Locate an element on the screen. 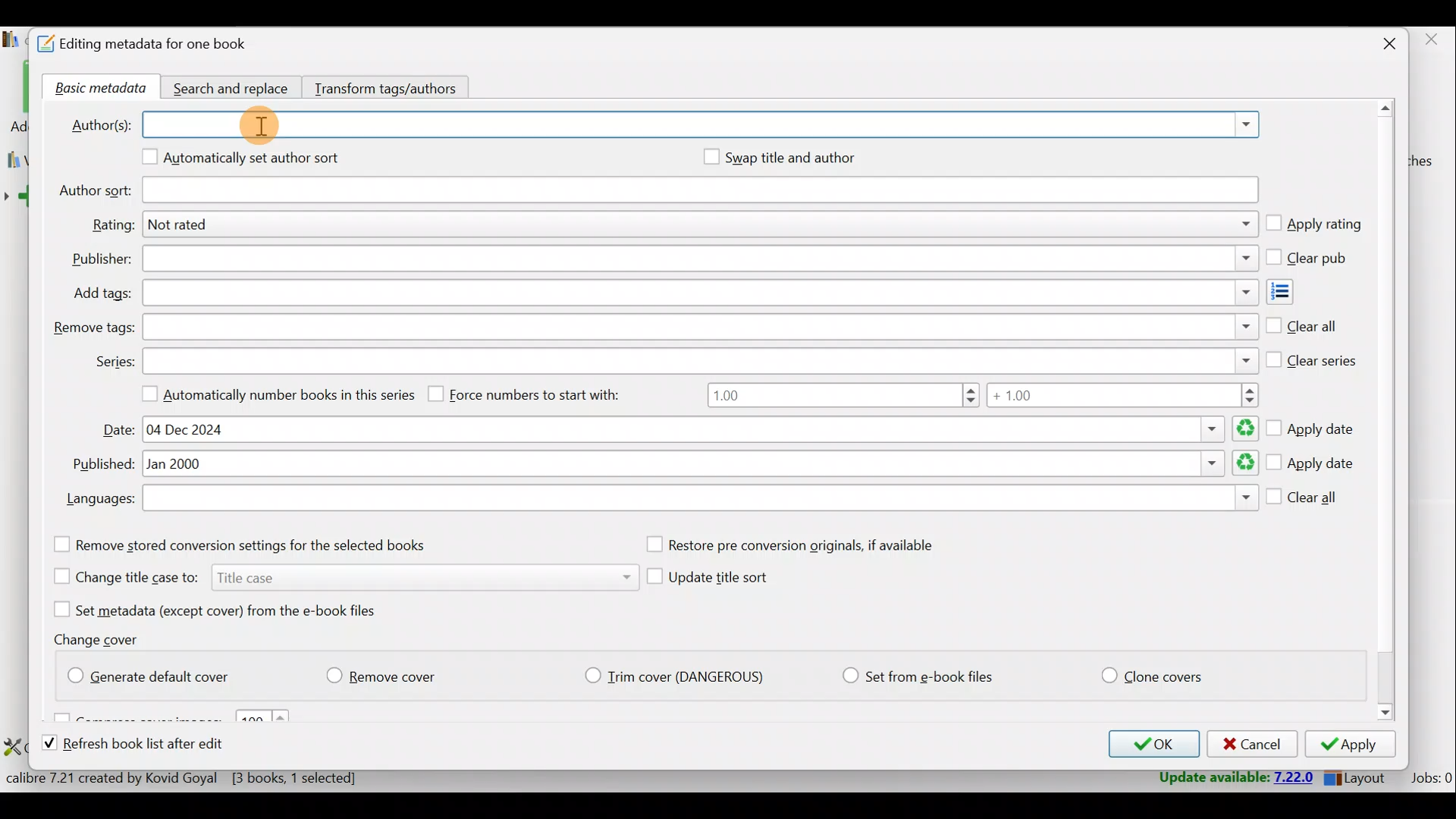  cursor is located at coordinates (264, 127).